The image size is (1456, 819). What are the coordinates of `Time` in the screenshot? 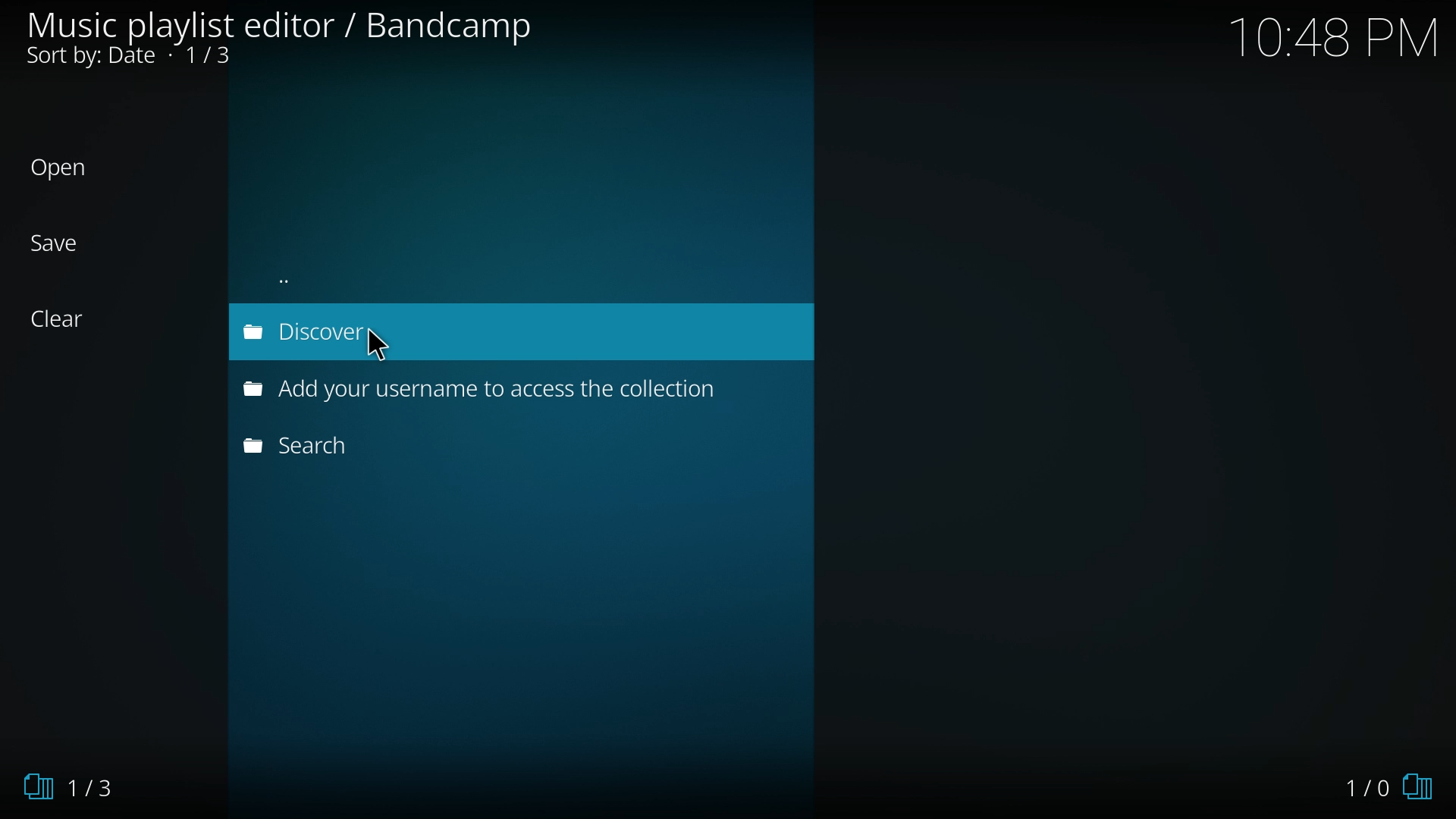 It's located at (1335, 37).